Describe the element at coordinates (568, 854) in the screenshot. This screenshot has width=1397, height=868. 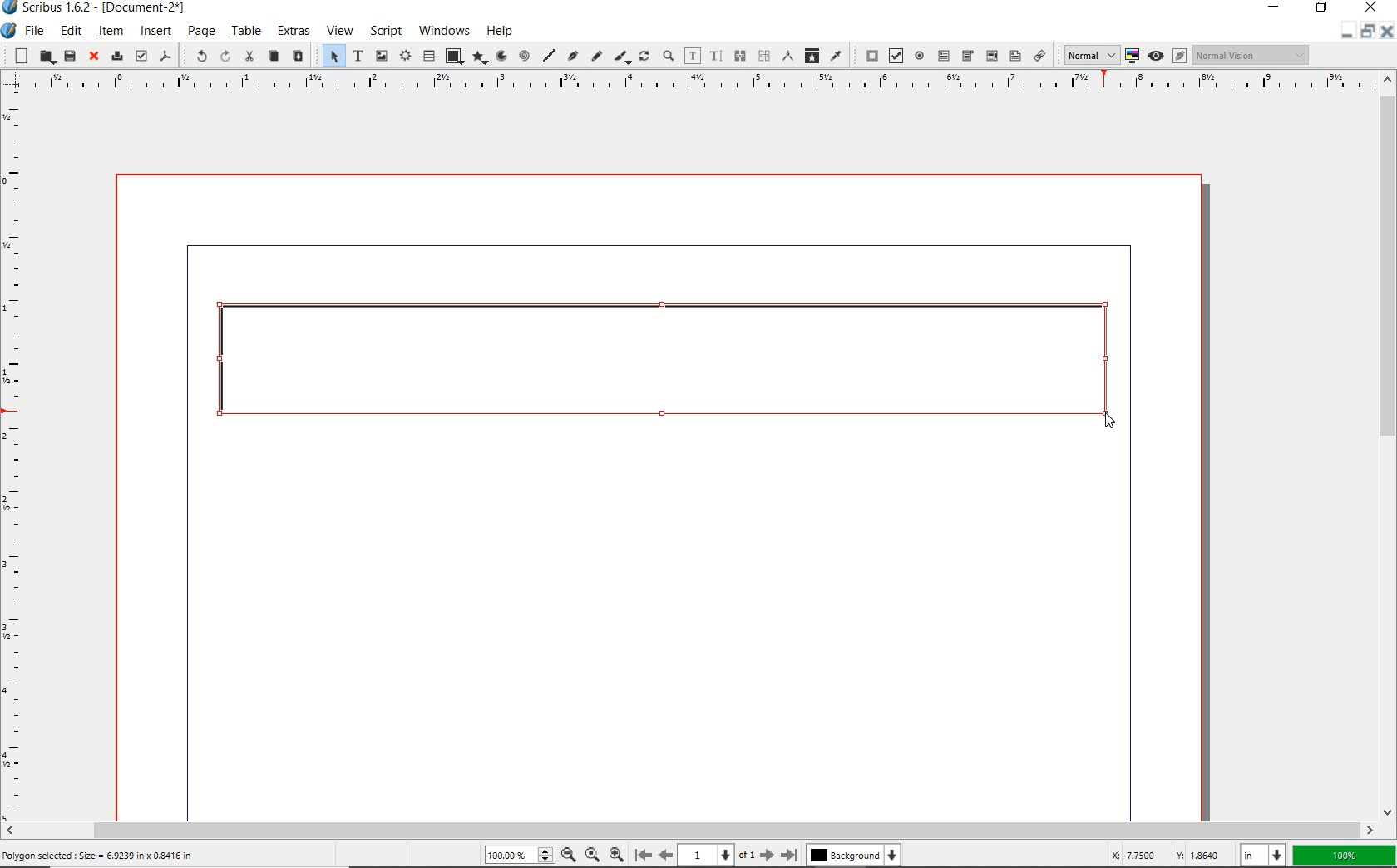
I see `zoom in` at that location.